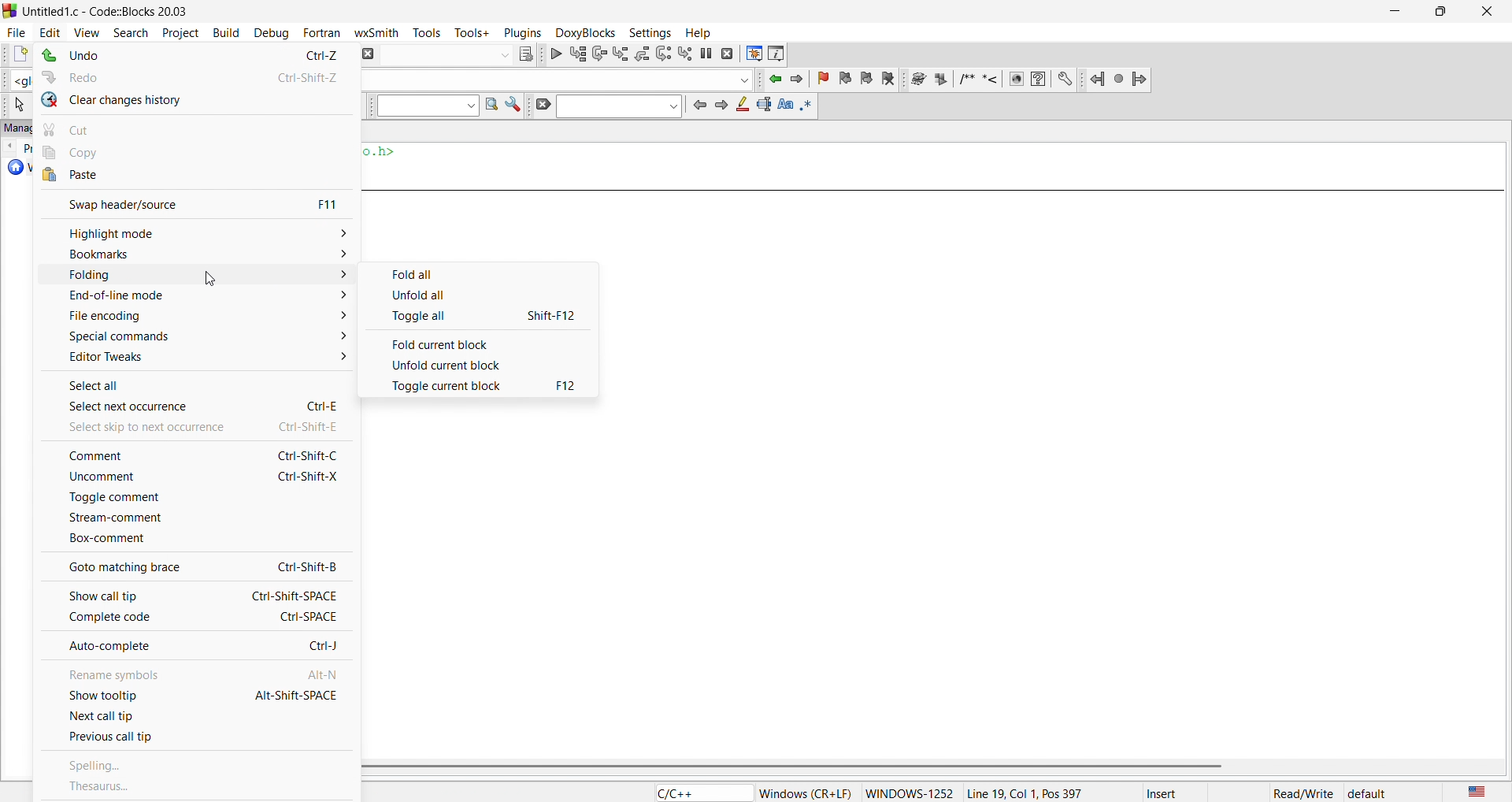 The image size is (1512, 802). What do you see at coordinates (513, 106) in the screenshot?
I see `settings` at bounding box center [513, 106].